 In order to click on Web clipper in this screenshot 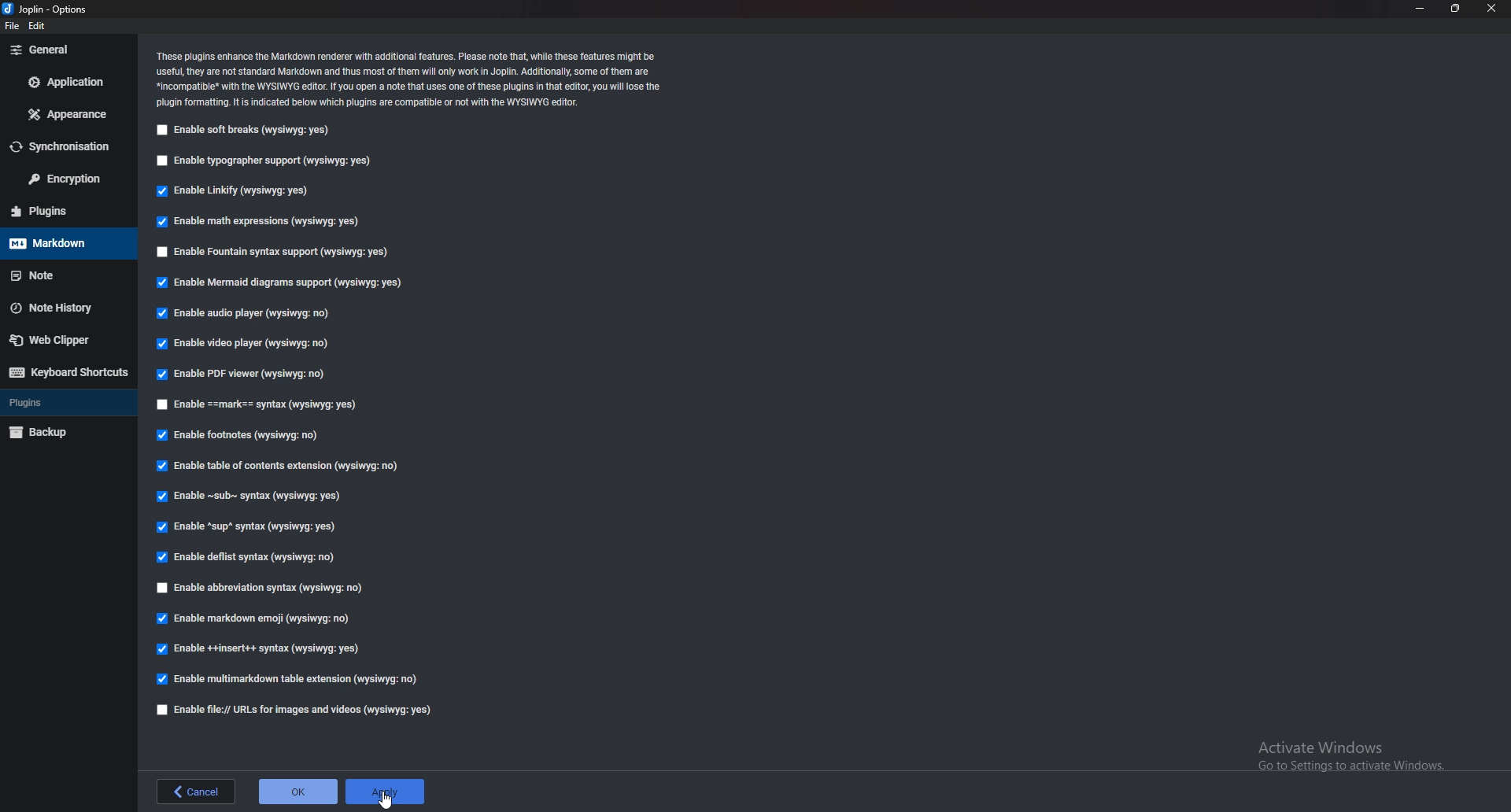, I will do `click(60, 342)`.